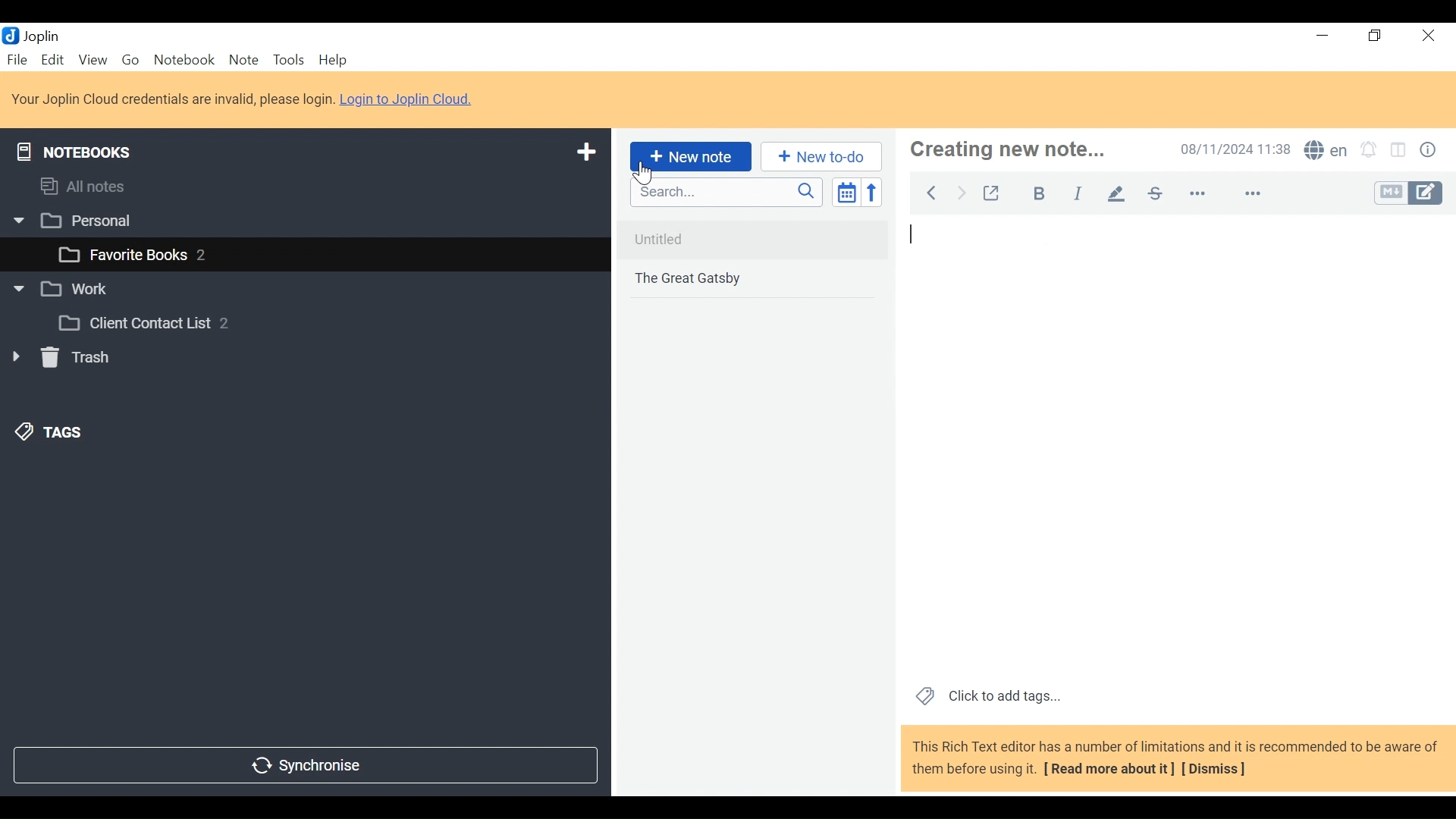 This screenshot has width=1456, height=819. I want to click on New to do, so click(818, 157).